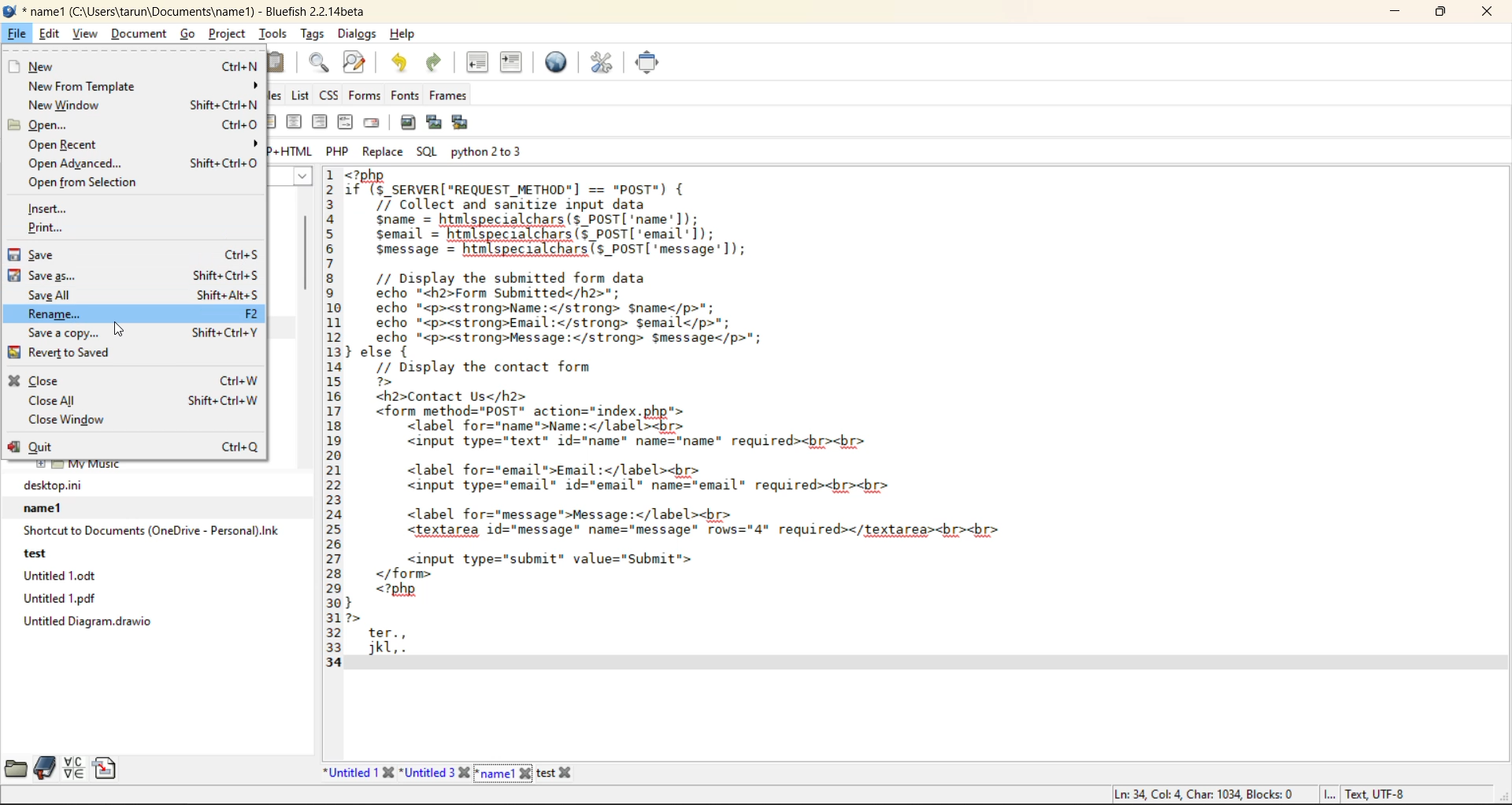 The height and width of the screenshot is (805, 1512). I want to click on tools, so click(274, 34).